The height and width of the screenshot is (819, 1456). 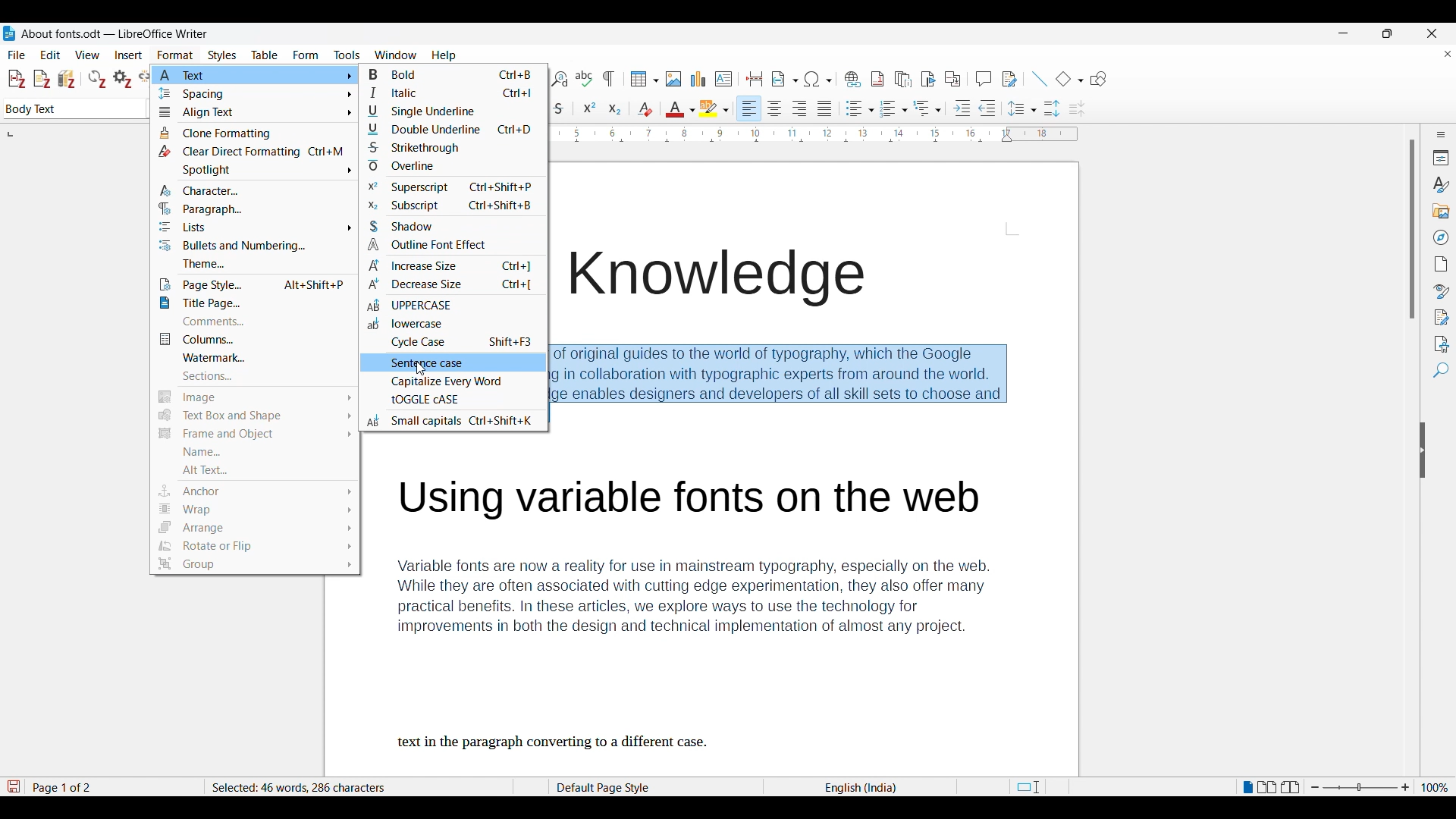 What do you see at coordinates (863, 787) in the screenshot?
I see `Current language` at bounding box center [863, 787].